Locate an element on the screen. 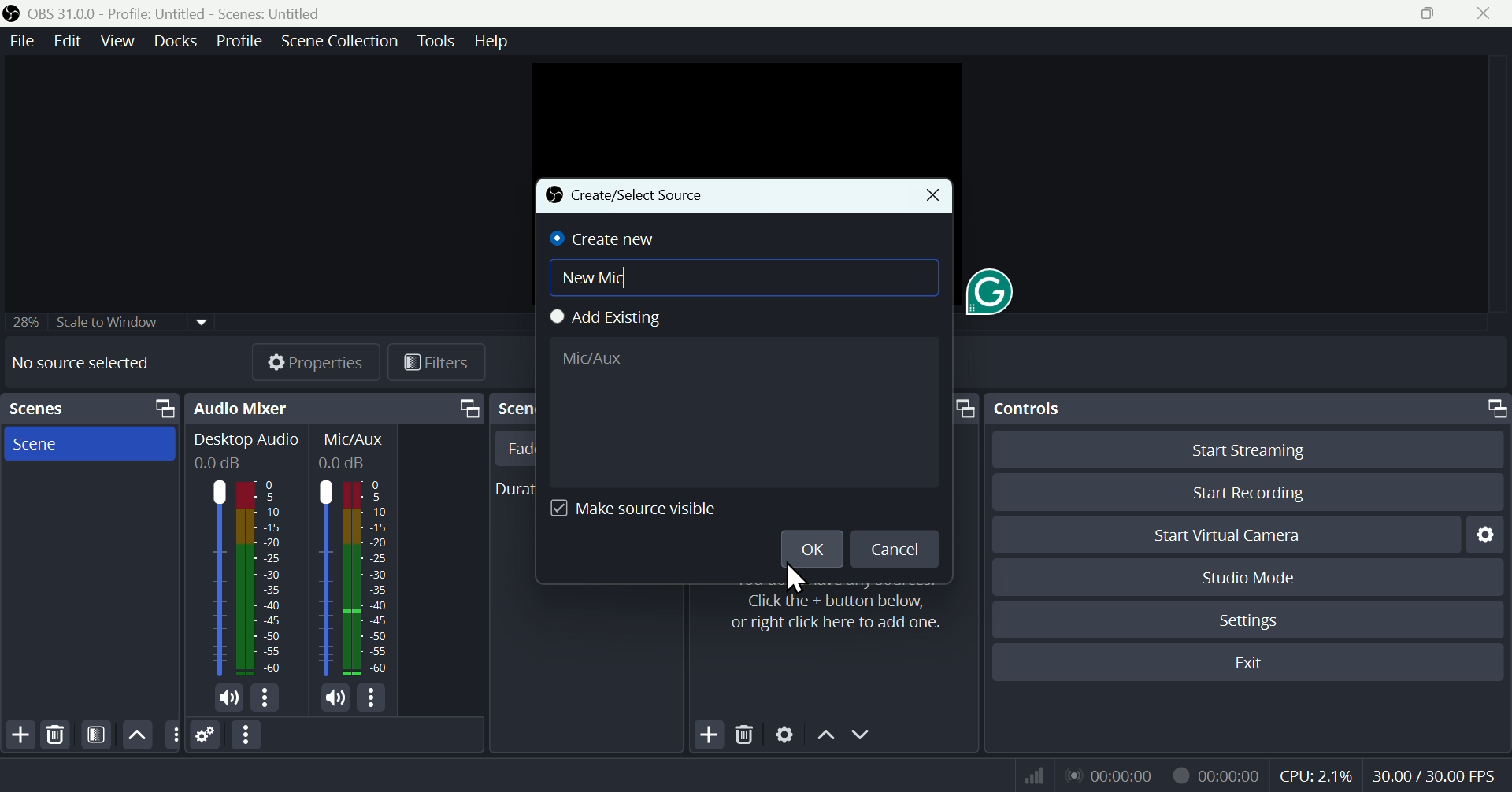  Scene collection is located at coordinates (343, 43).